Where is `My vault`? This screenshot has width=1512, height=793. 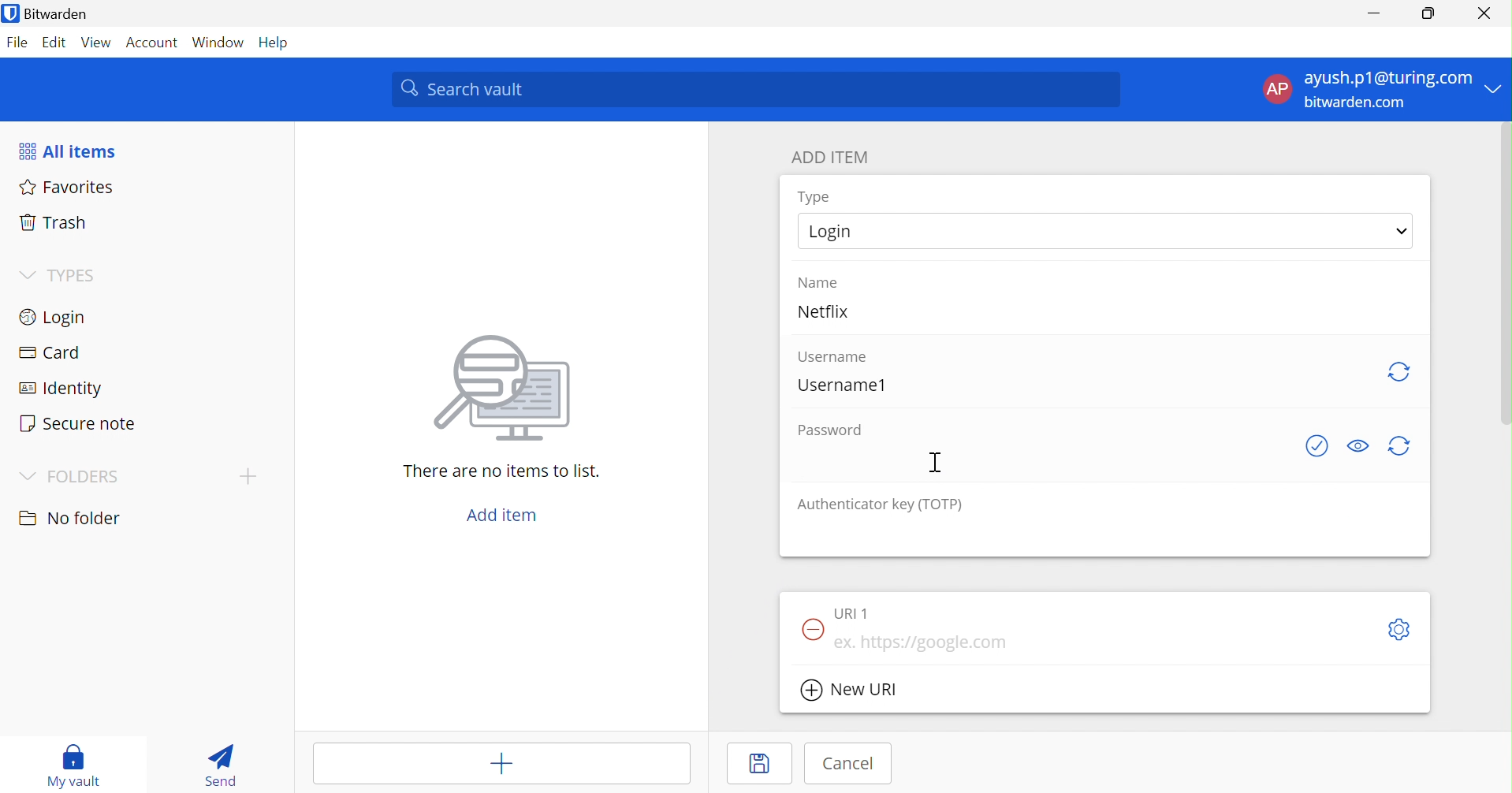
My vault is located at coordinates (73, 765).